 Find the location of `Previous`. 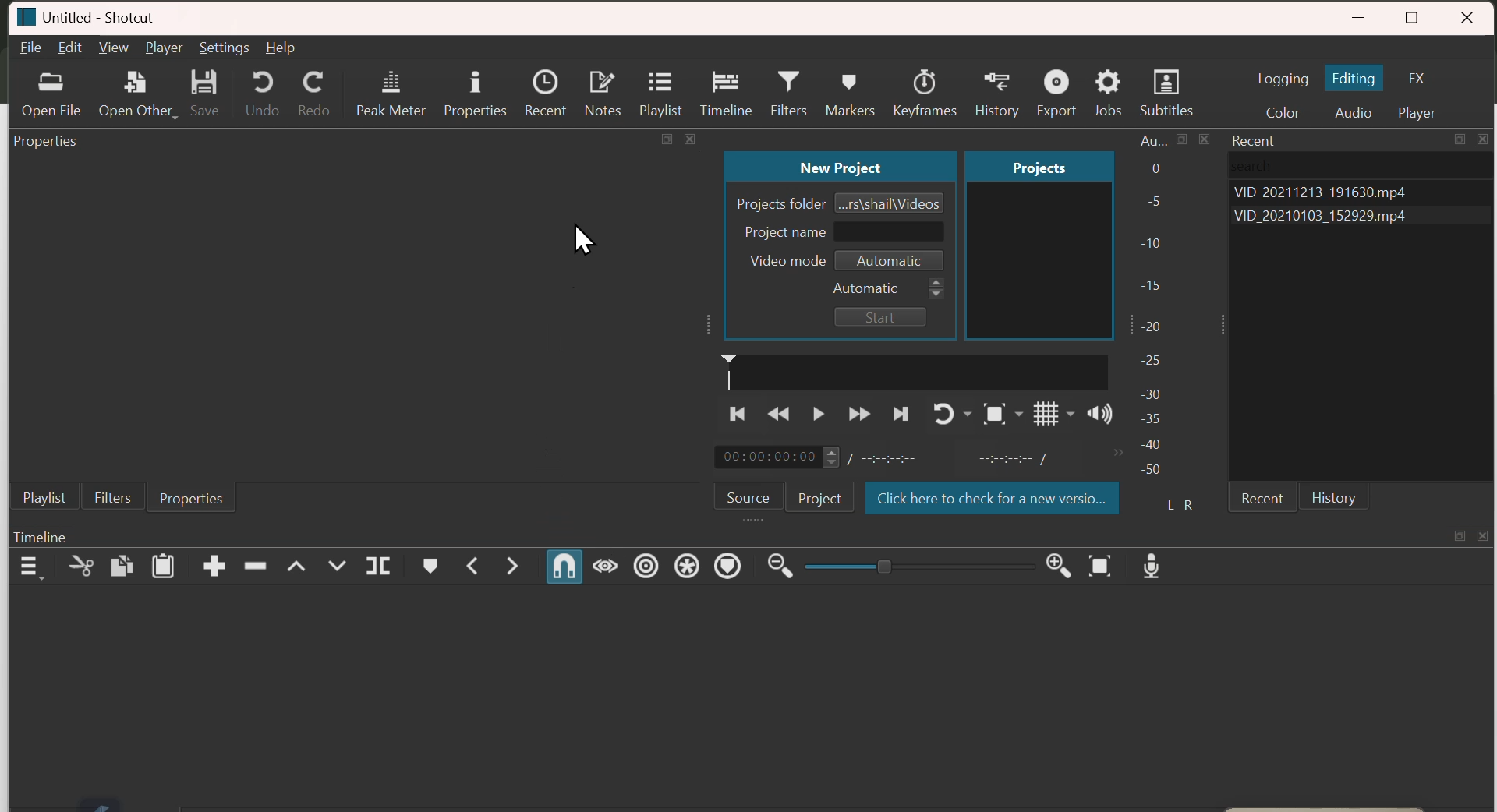

Previous is located at coordinates (735, 412).